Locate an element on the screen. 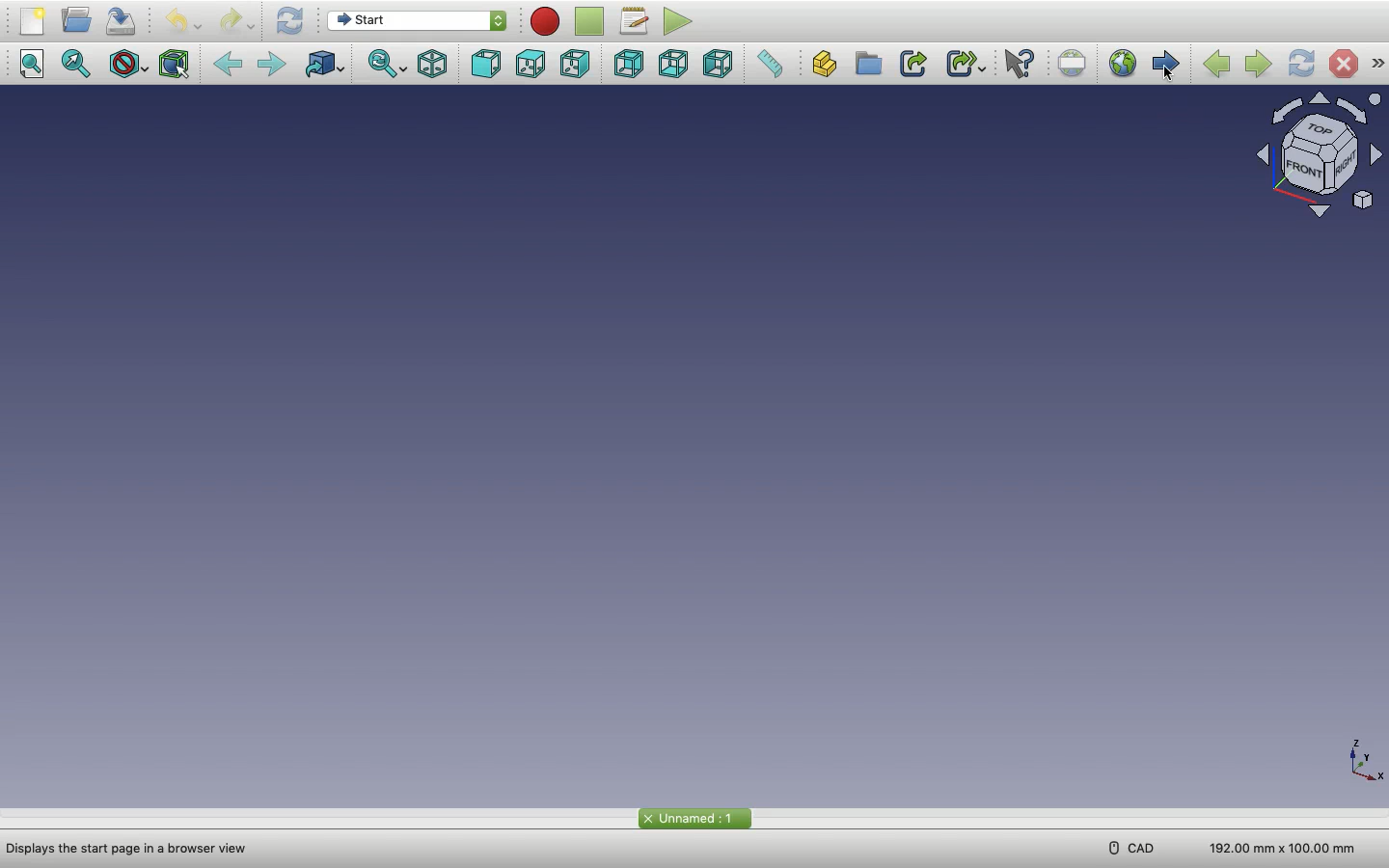  Front is located at coordinates (486, 65).